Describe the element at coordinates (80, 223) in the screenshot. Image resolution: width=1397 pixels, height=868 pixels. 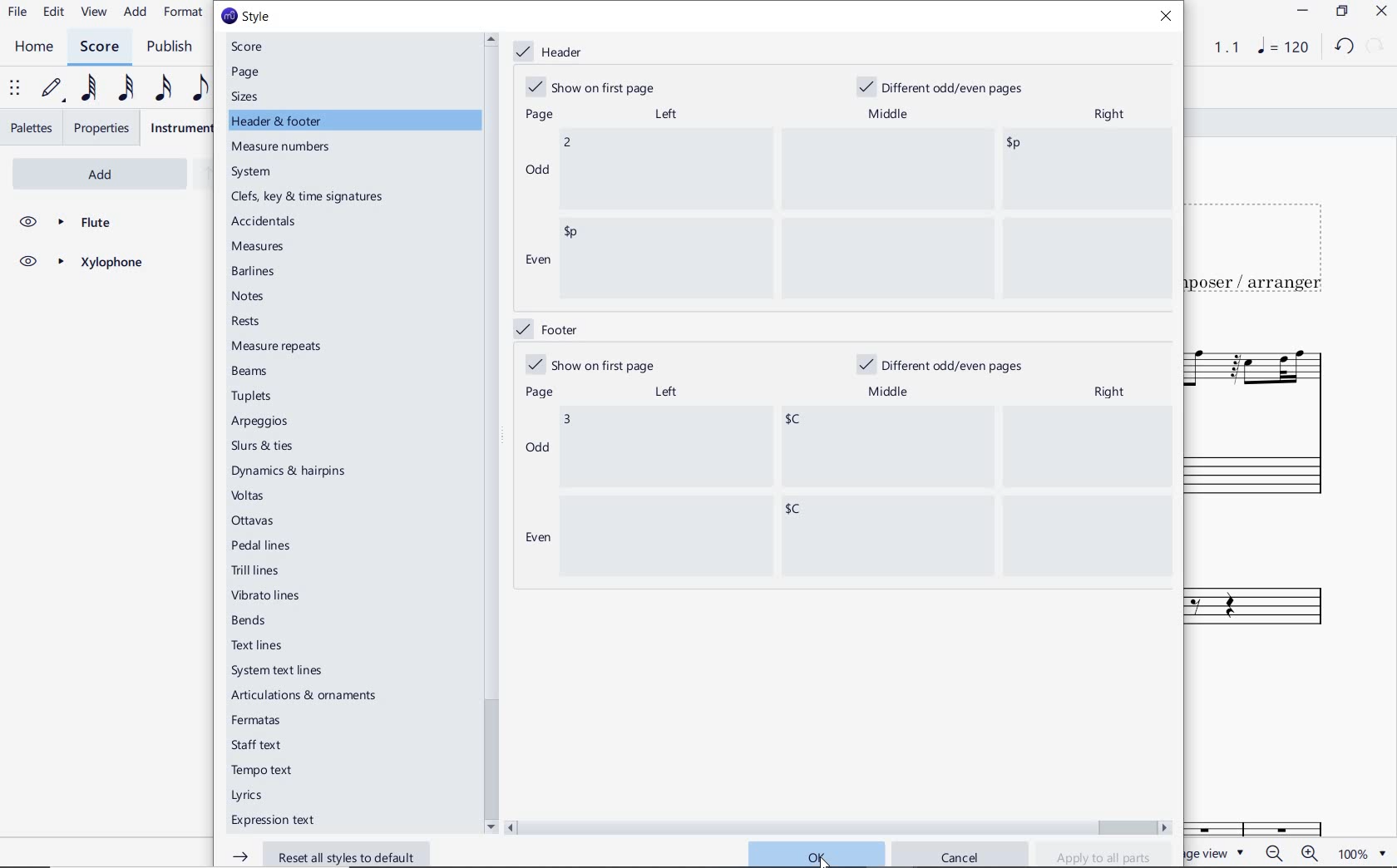
I see `FLUTE` at that location.